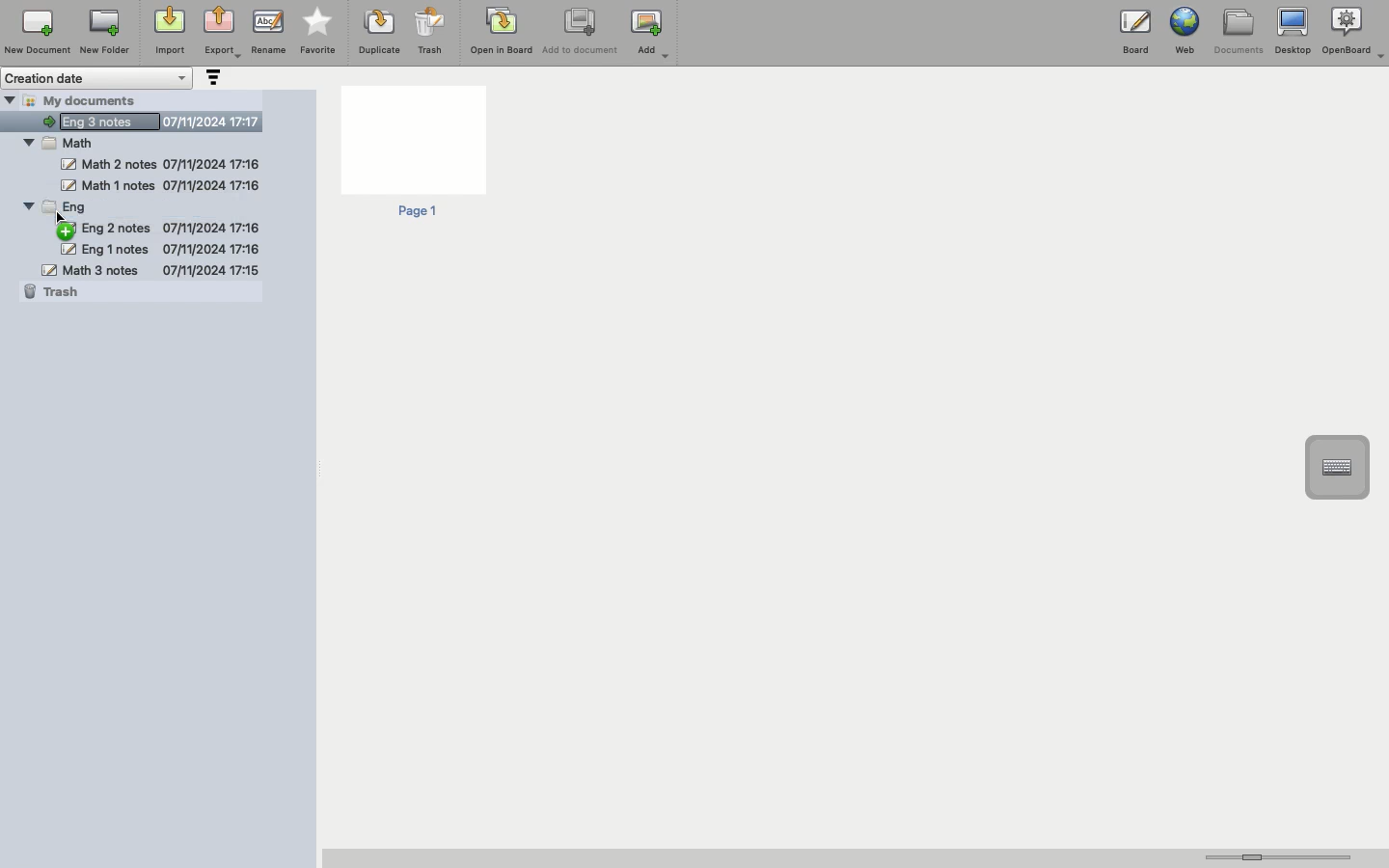 Image resolution: width=1389 pixels, height=868 pixels. What do you see at coordinates (150, 269) in the screenshot?
I see `Math 3 notes` at bounding box center [150, 269].